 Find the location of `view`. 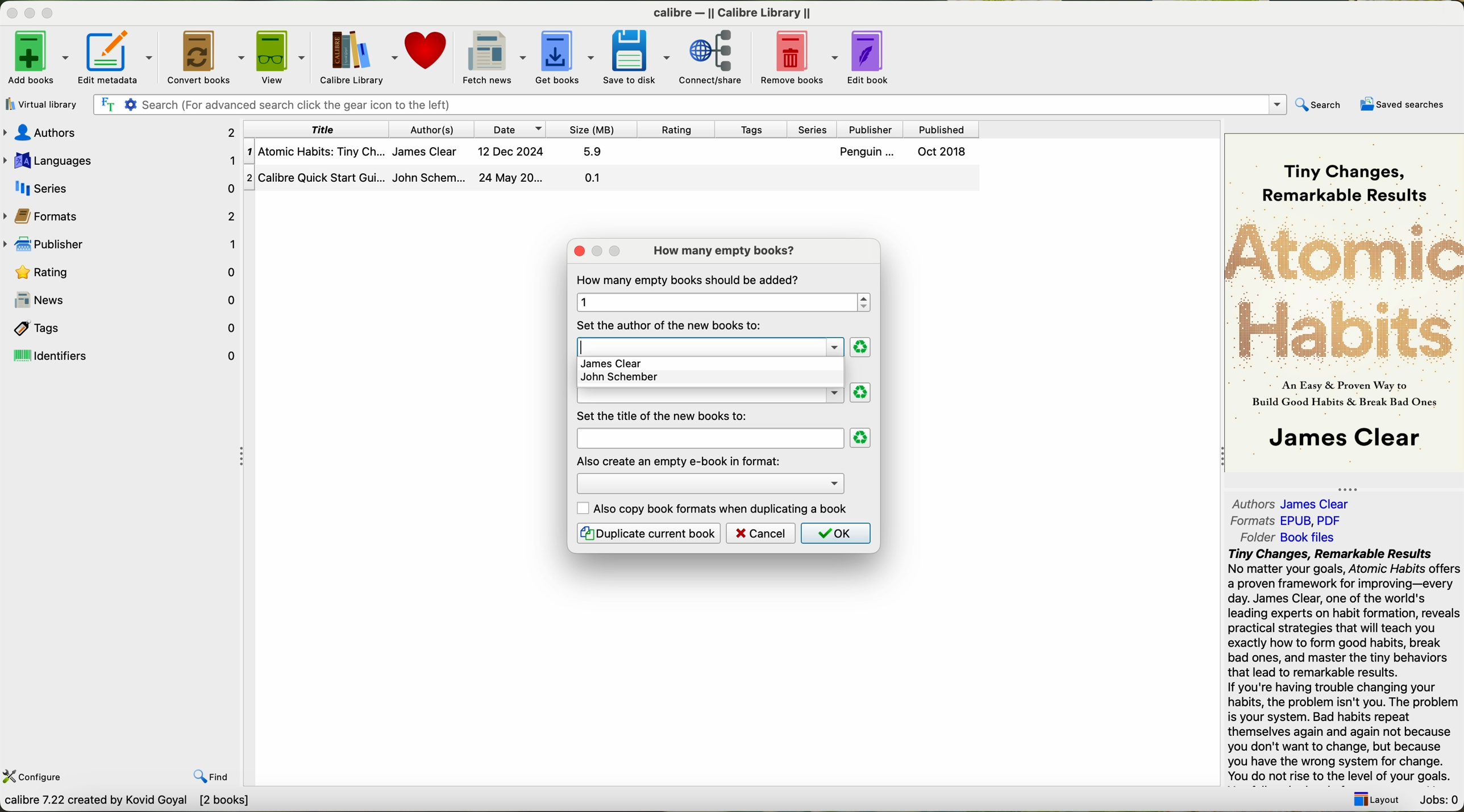

view is located at coordinates (279, 56).